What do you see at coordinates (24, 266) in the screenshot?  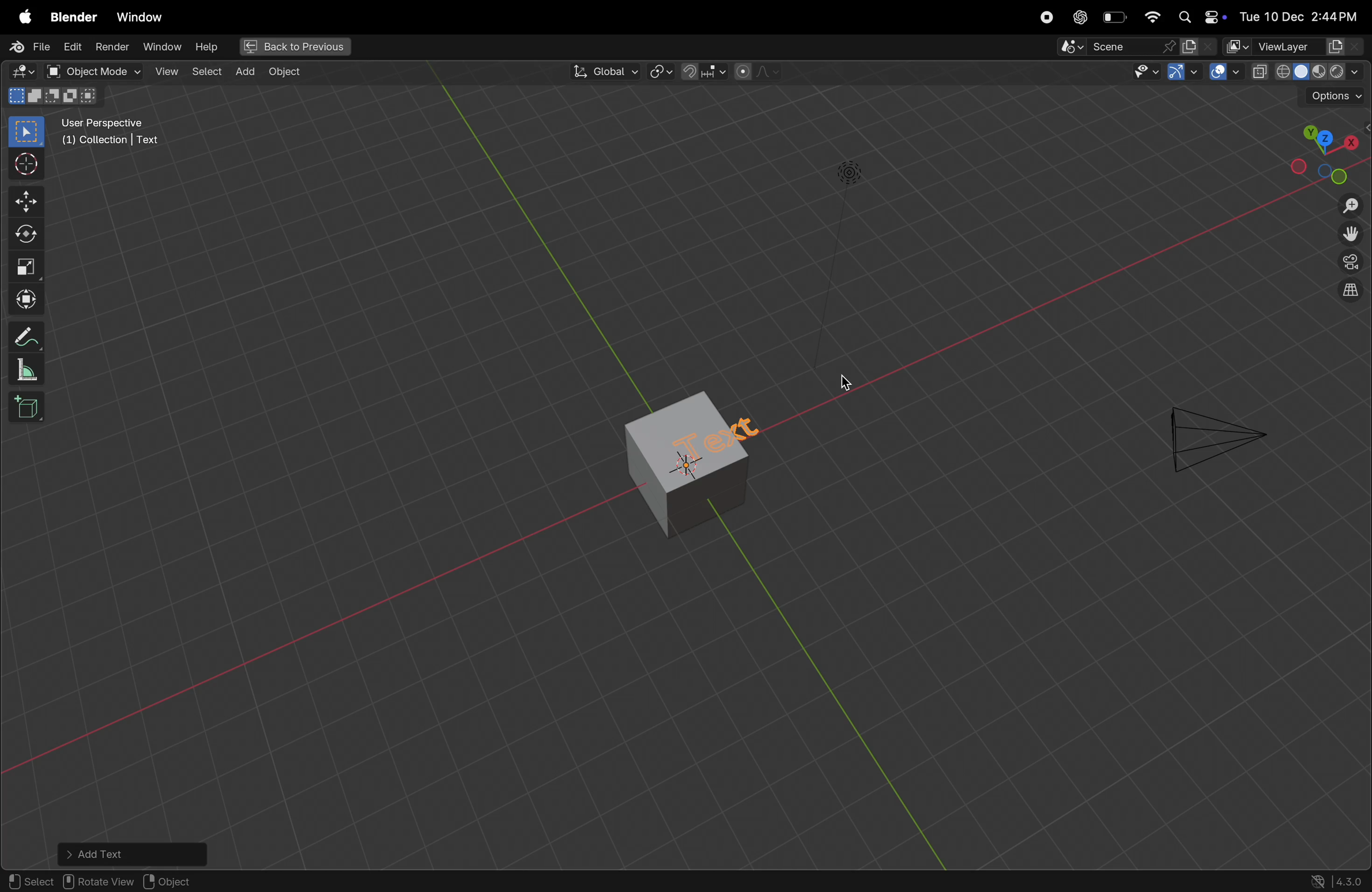 I see `scale` at bounding box center [24, 266].